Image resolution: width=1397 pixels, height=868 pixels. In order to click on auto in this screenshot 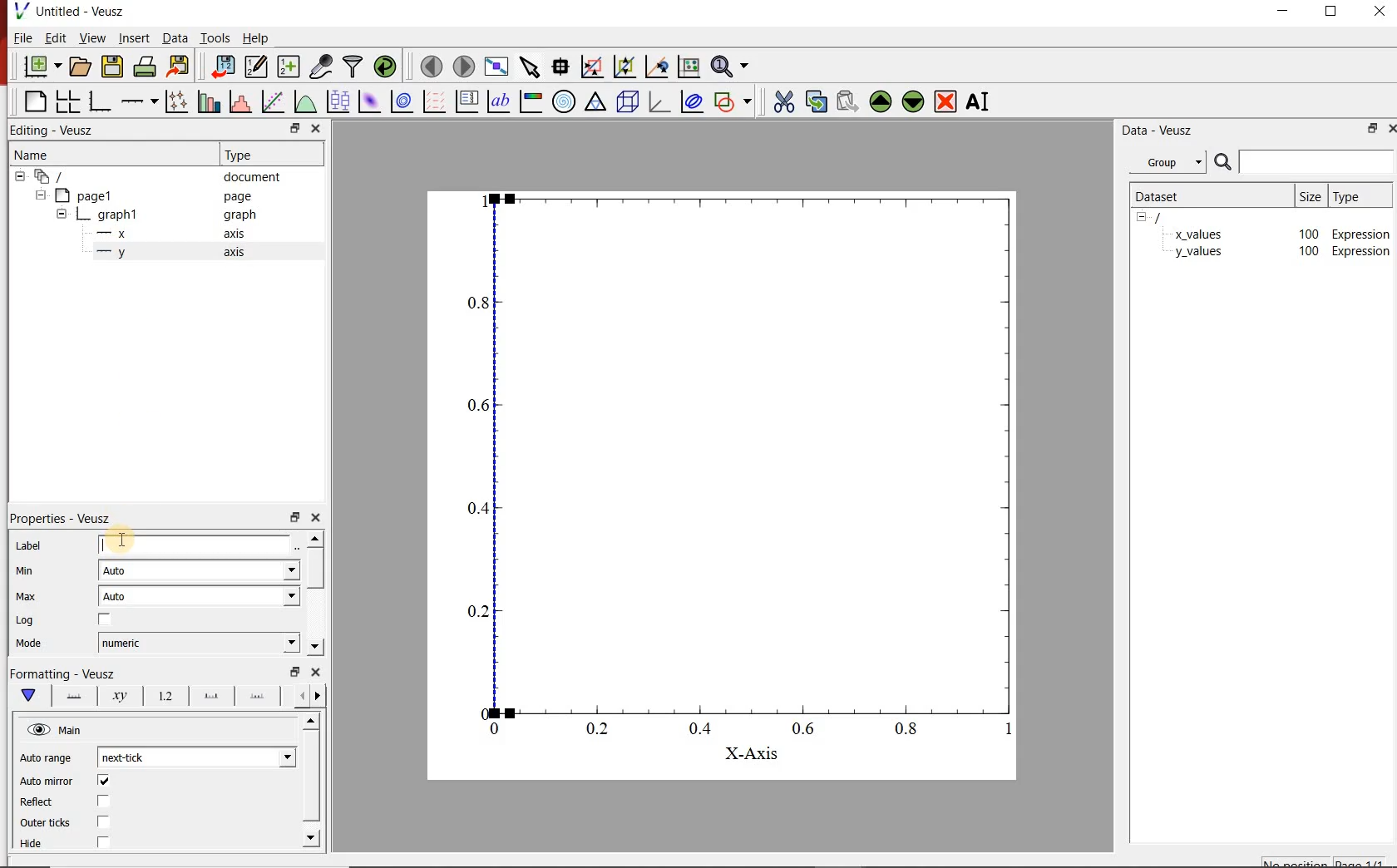, I will do `click(200, 570)`.